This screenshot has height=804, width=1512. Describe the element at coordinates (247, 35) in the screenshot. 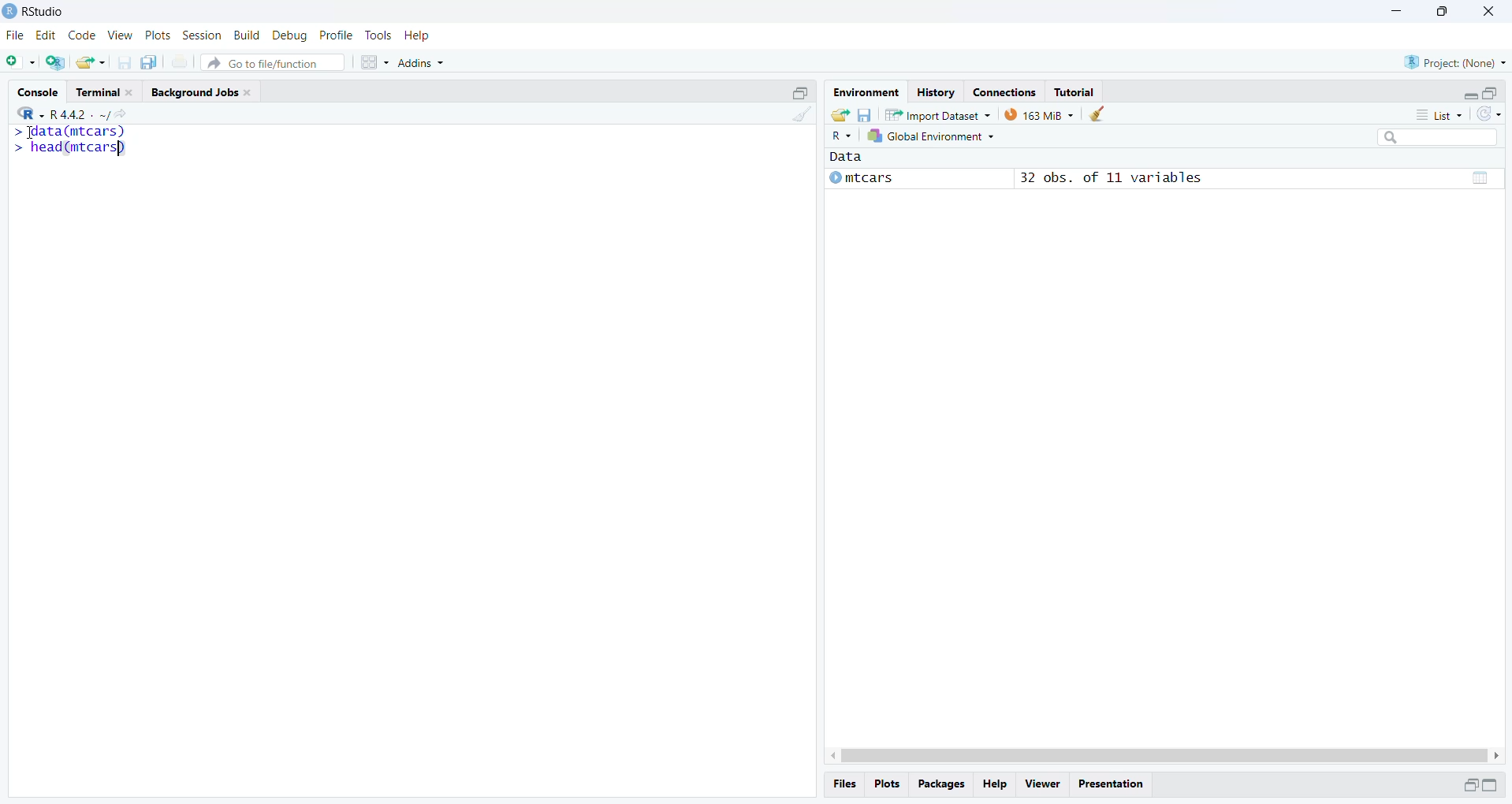

I see `build` at that location.